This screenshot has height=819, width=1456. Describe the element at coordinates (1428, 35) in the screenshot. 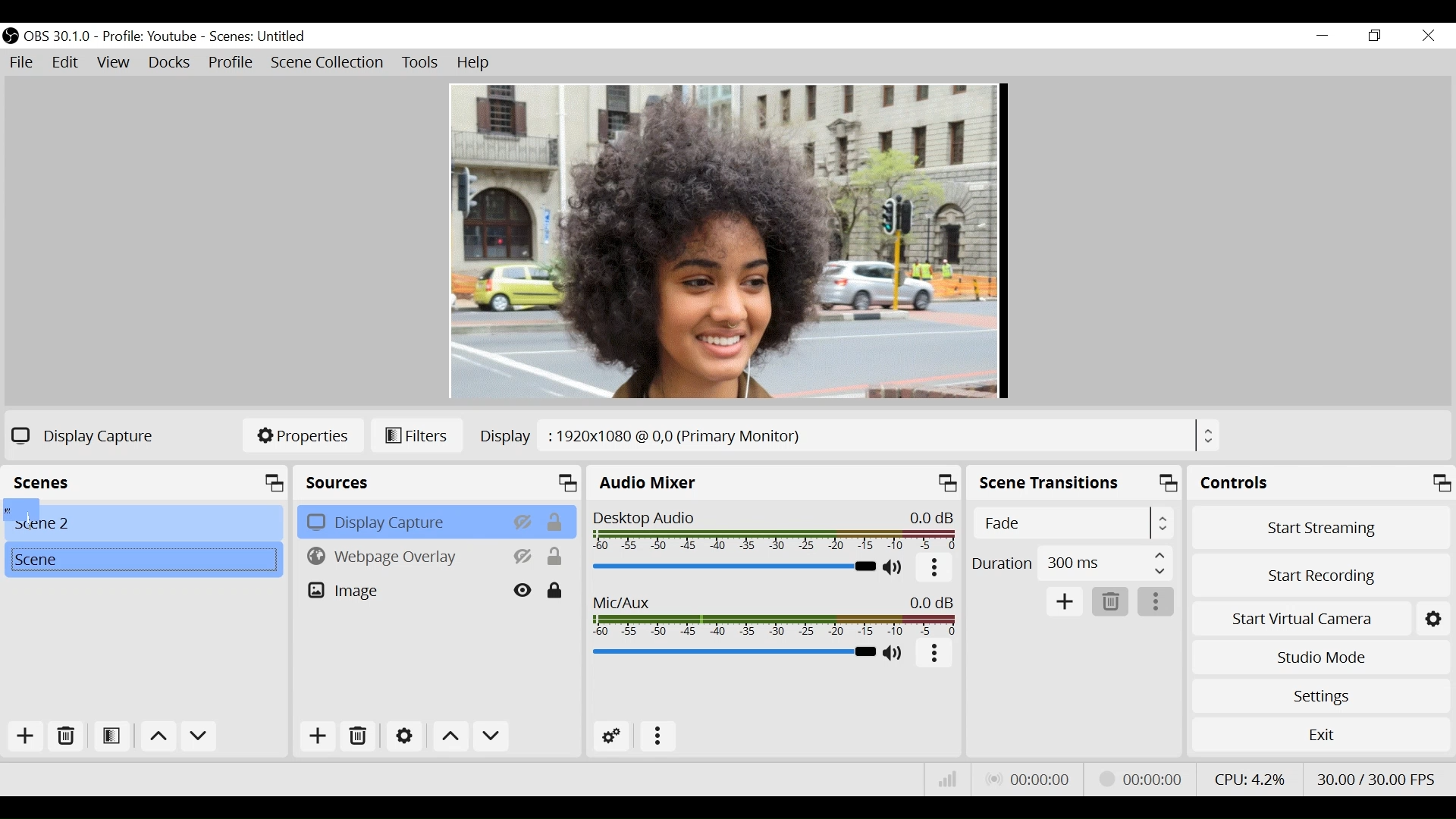

I see `Close` at that location.